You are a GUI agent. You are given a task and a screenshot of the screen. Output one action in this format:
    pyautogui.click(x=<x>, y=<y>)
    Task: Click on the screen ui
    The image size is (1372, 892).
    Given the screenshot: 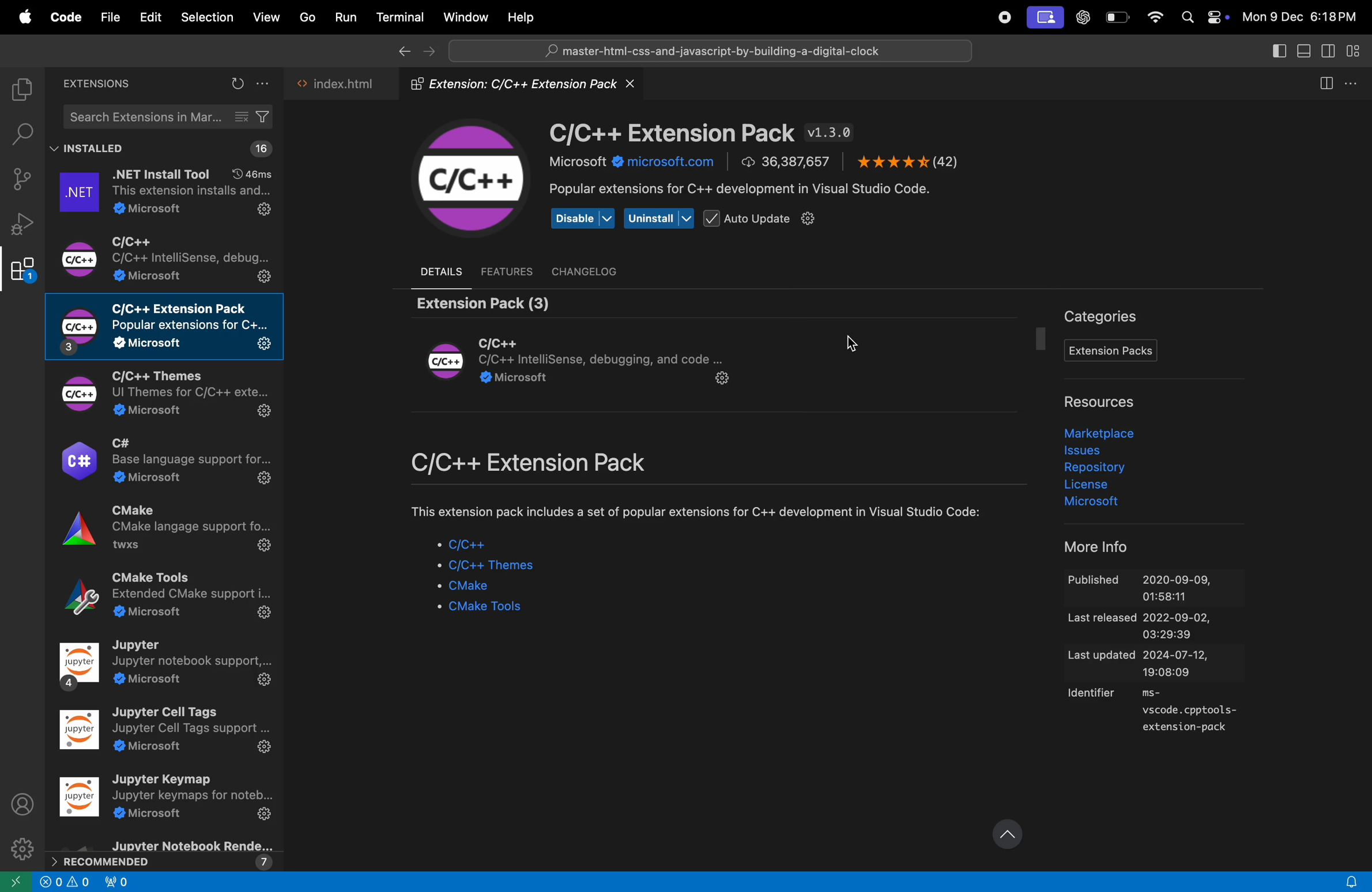 What is the action you would take?
    pyautogui.click(x=1045, y=18)
    